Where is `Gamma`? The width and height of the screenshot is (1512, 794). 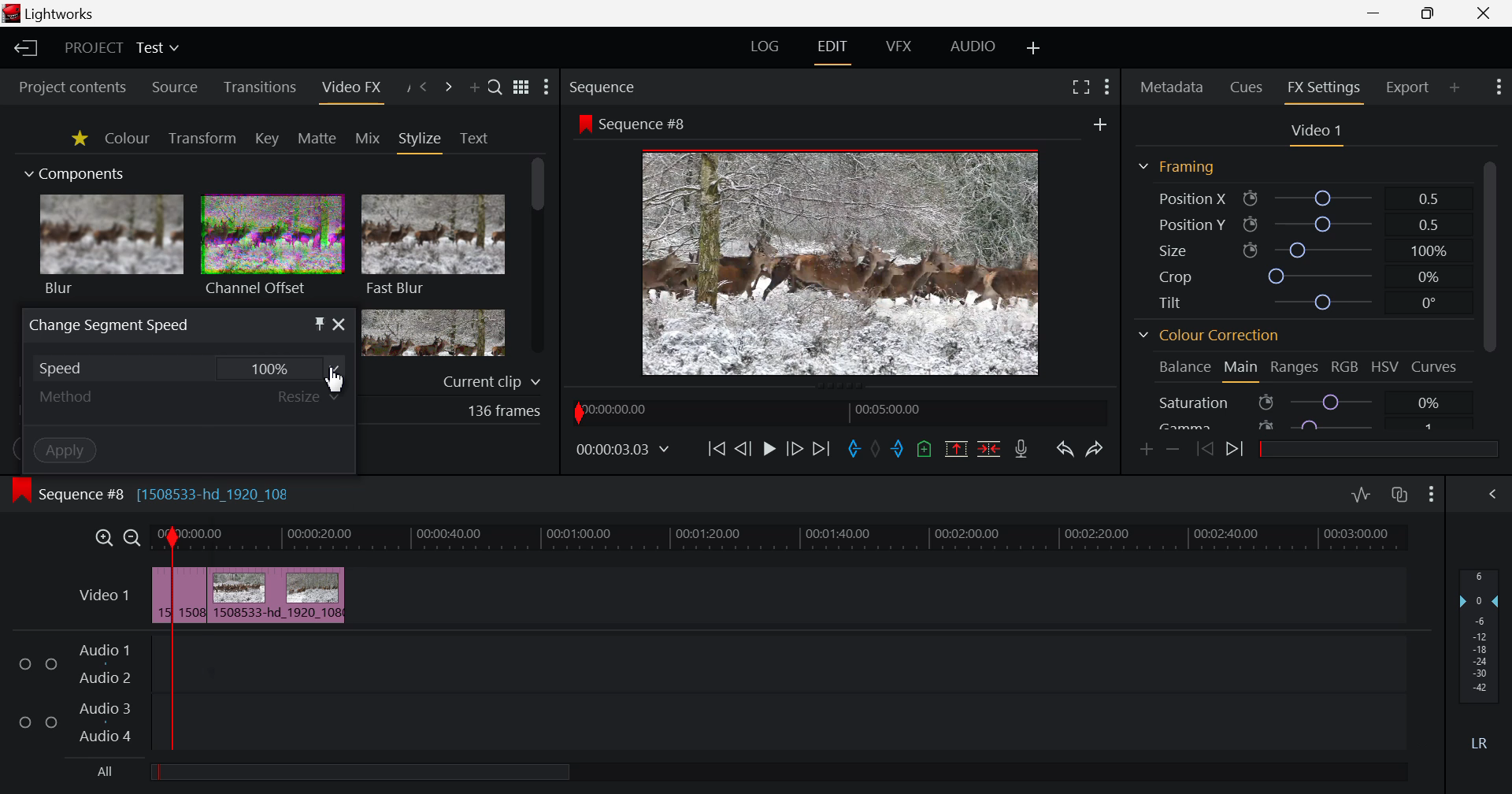
Gamma is located at coordinates (1310, 423).